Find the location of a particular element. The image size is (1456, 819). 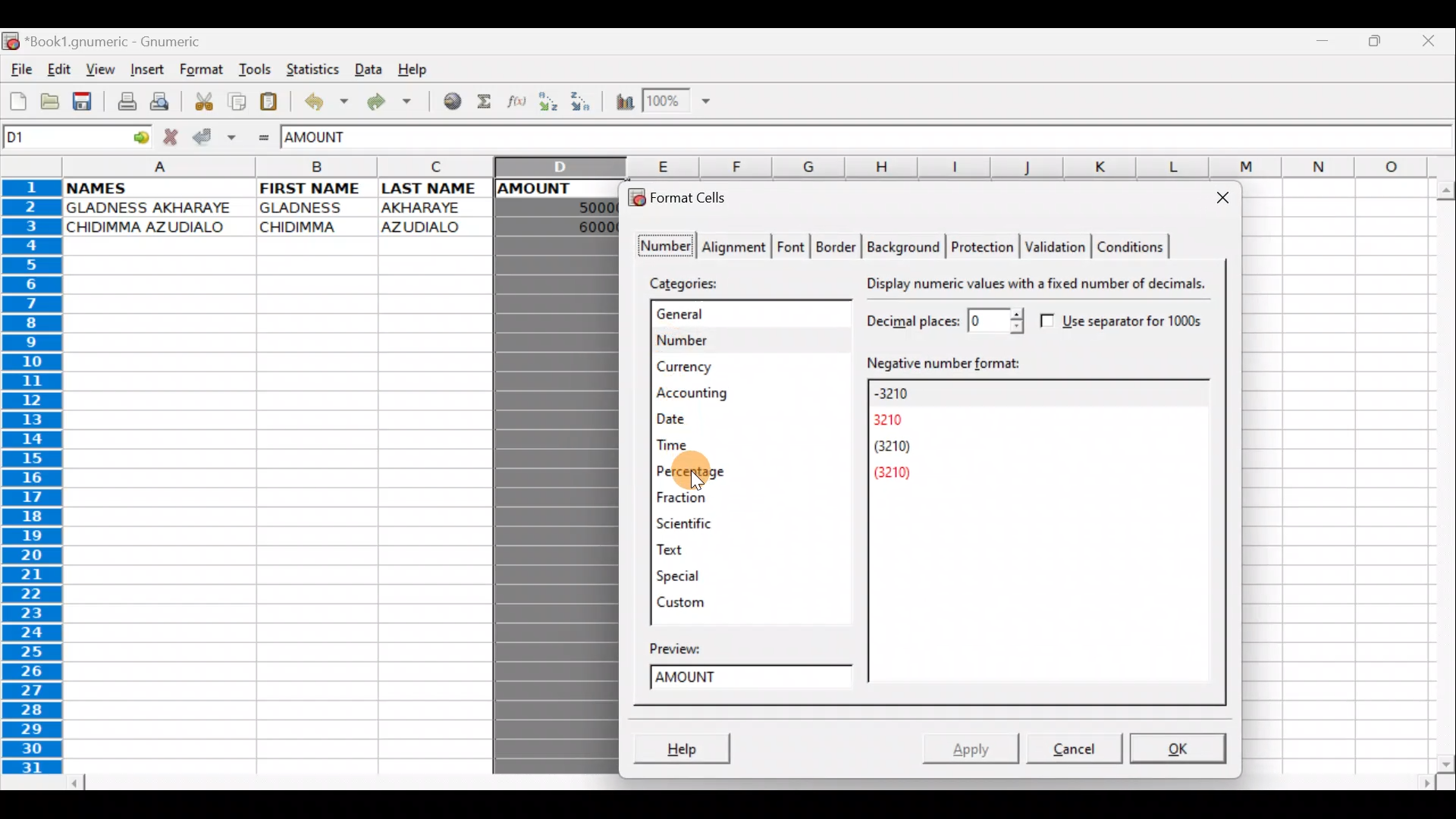

Accept change is located at coordinates (213, 137).